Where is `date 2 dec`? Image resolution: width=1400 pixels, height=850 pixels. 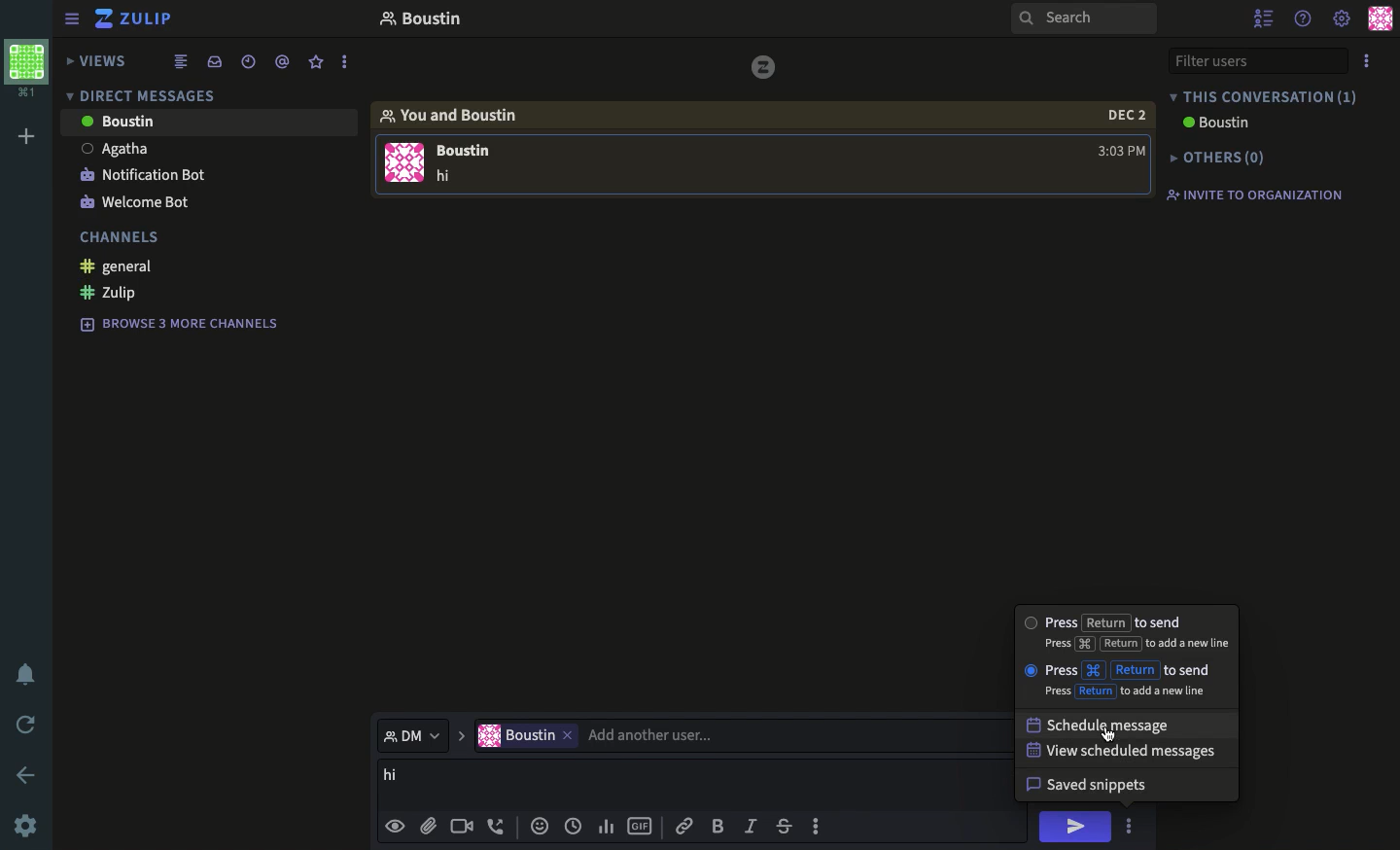 date 2 dec is located at coordinates (1119, 116).